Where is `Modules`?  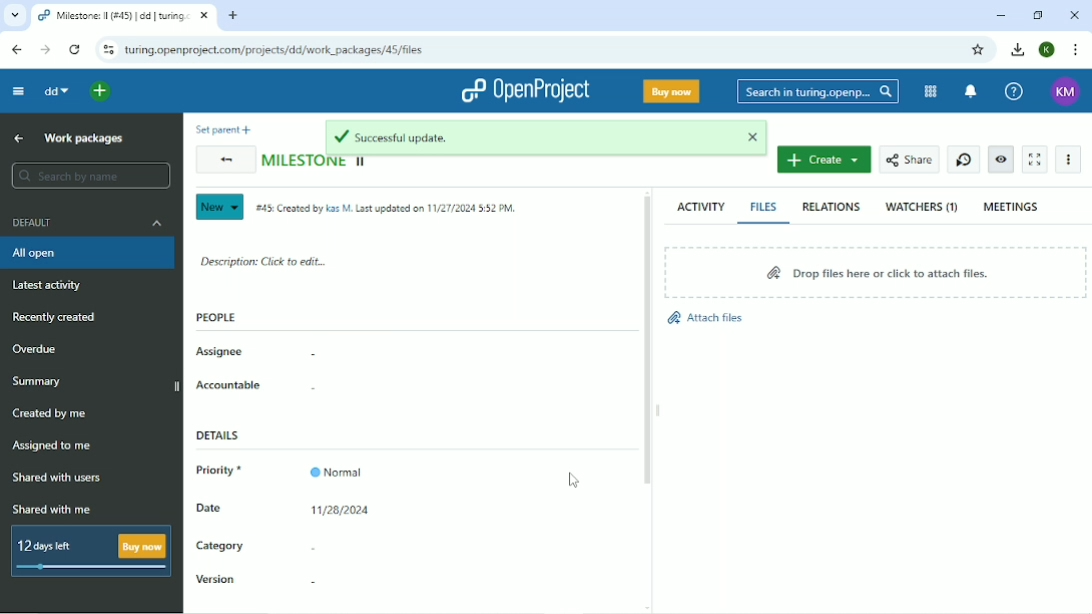 Modules is located at coordinates (931, 92).